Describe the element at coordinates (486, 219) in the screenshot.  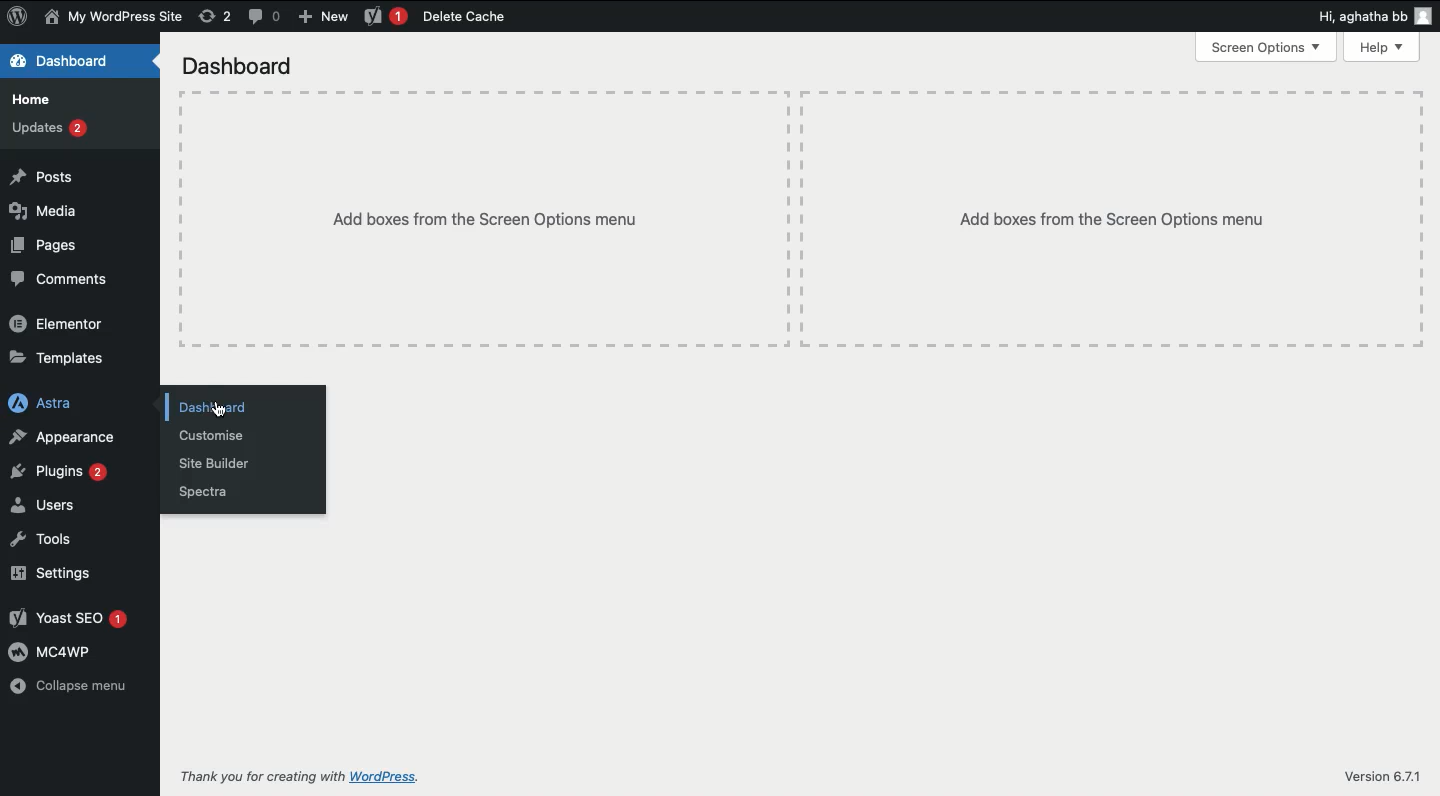
I see `Add boxes from the screen options menu` at that location.